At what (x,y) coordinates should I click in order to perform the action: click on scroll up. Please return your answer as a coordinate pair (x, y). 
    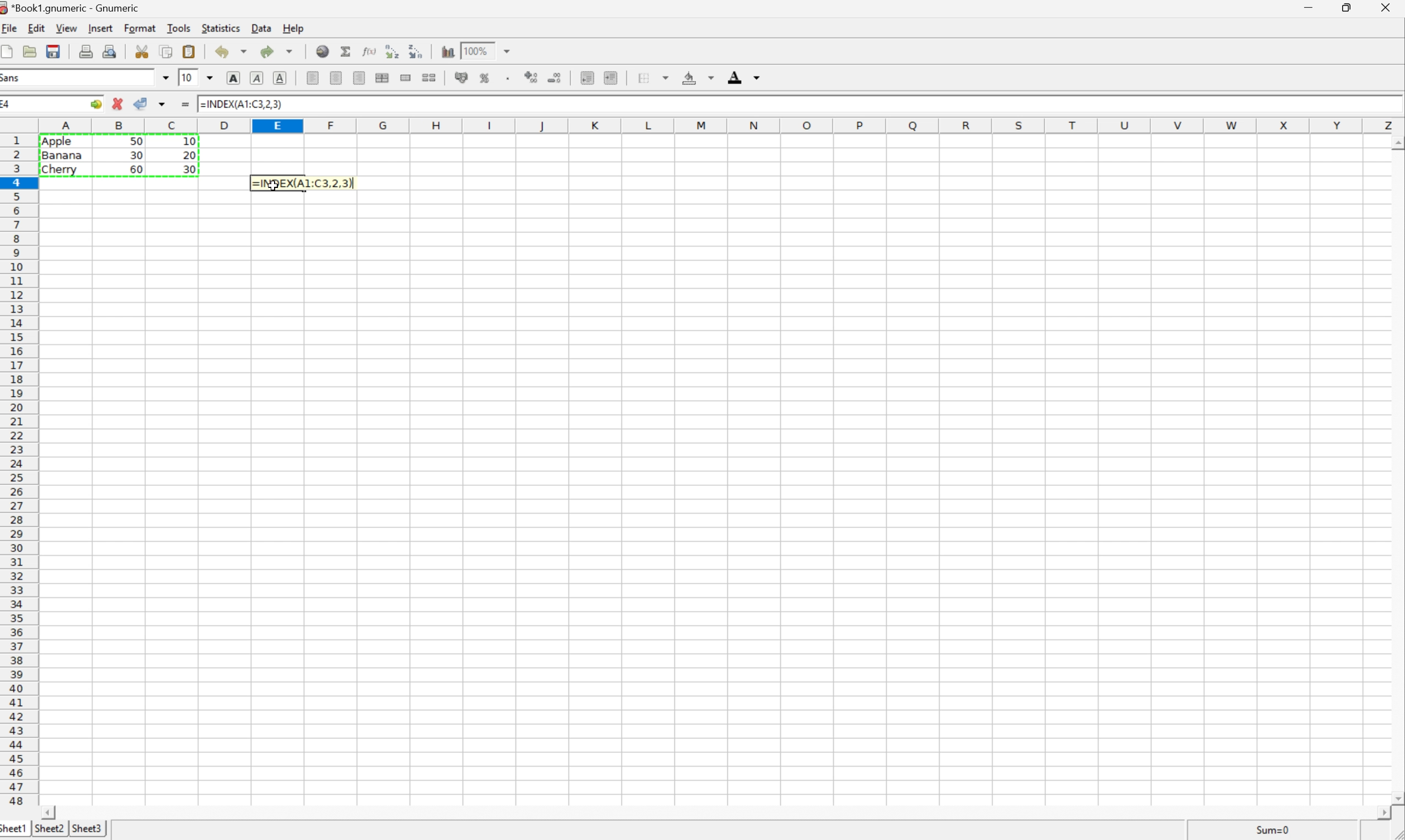
    Looking at the image, I should click on (1396, 142).